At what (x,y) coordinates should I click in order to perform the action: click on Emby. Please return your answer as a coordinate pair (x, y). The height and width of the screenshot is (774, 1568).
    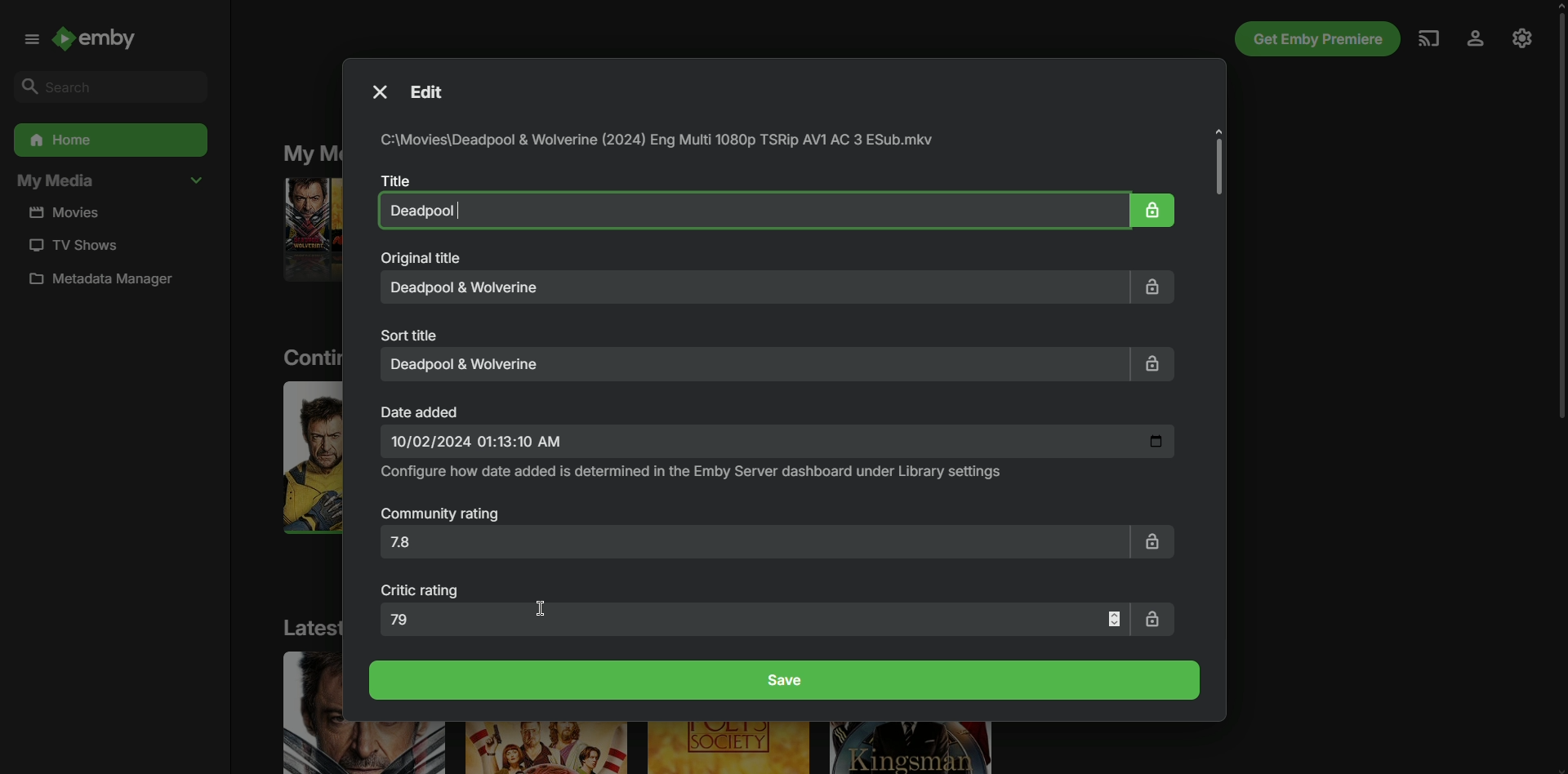
    Looking at the image, I should click on (105, 42).